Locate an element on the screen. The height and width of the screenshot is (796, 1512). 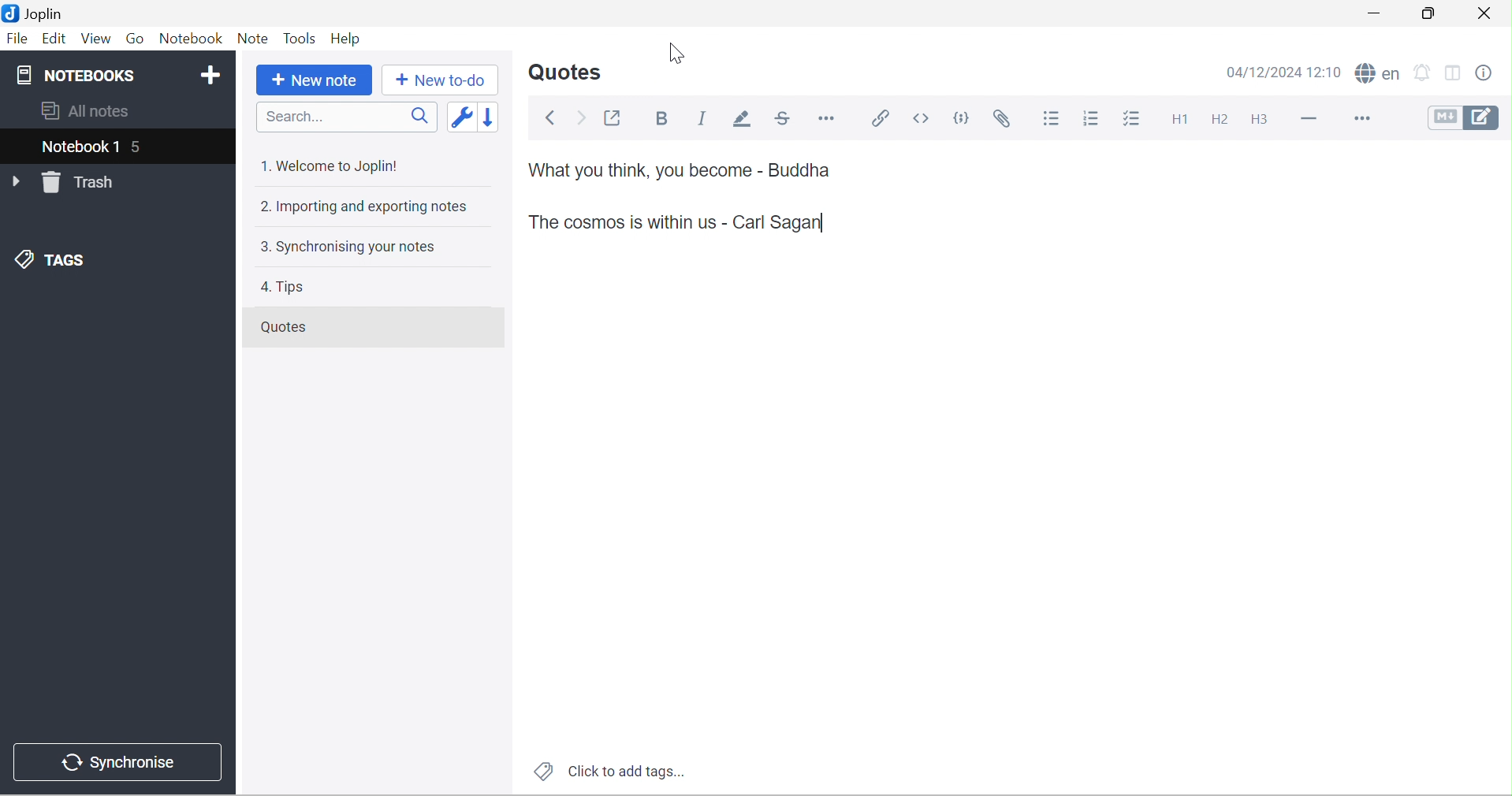
New note is located at coordinates (312, 83).